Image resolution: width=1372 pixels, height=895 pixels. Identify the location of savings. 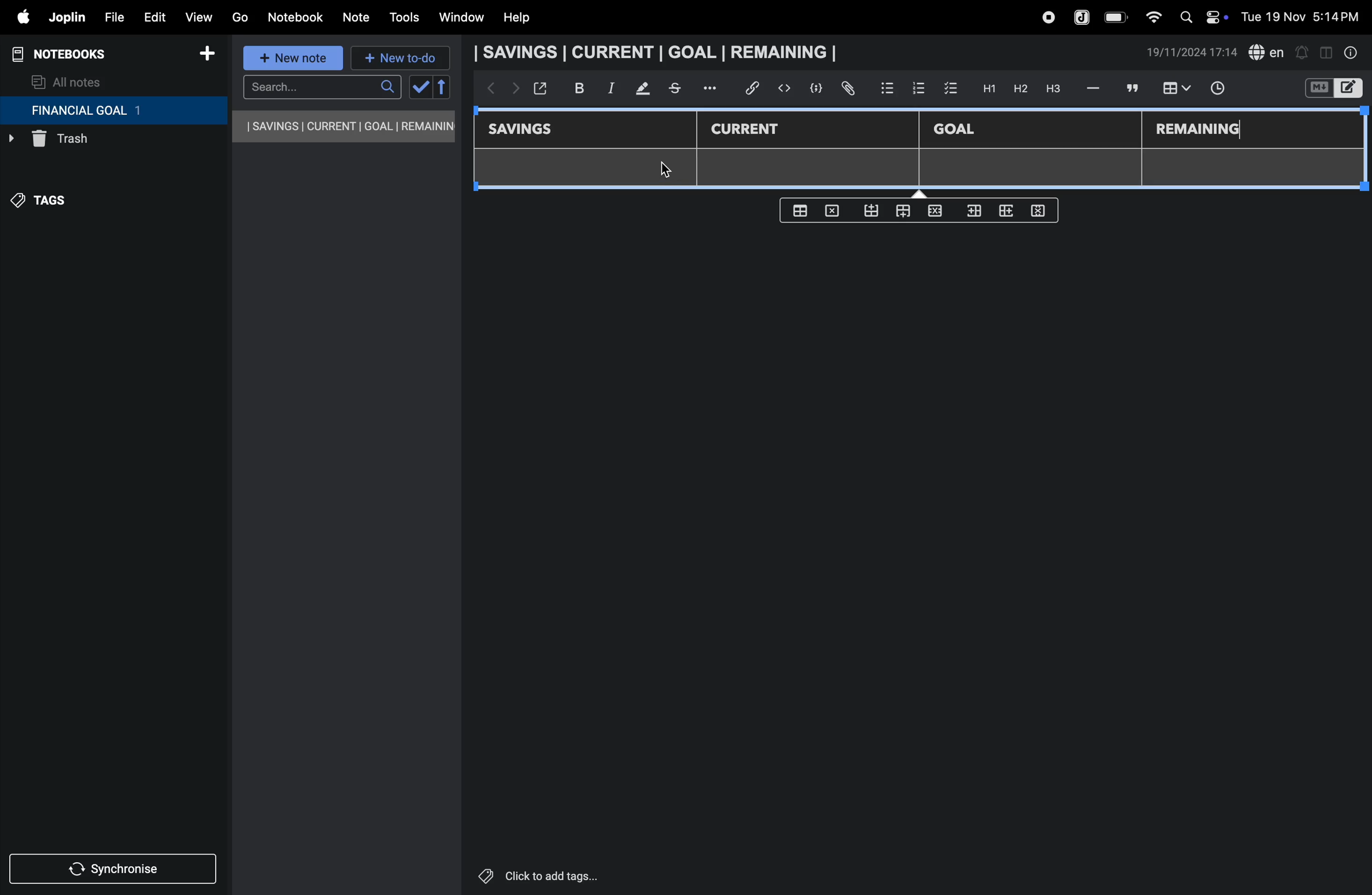
(529, 130).